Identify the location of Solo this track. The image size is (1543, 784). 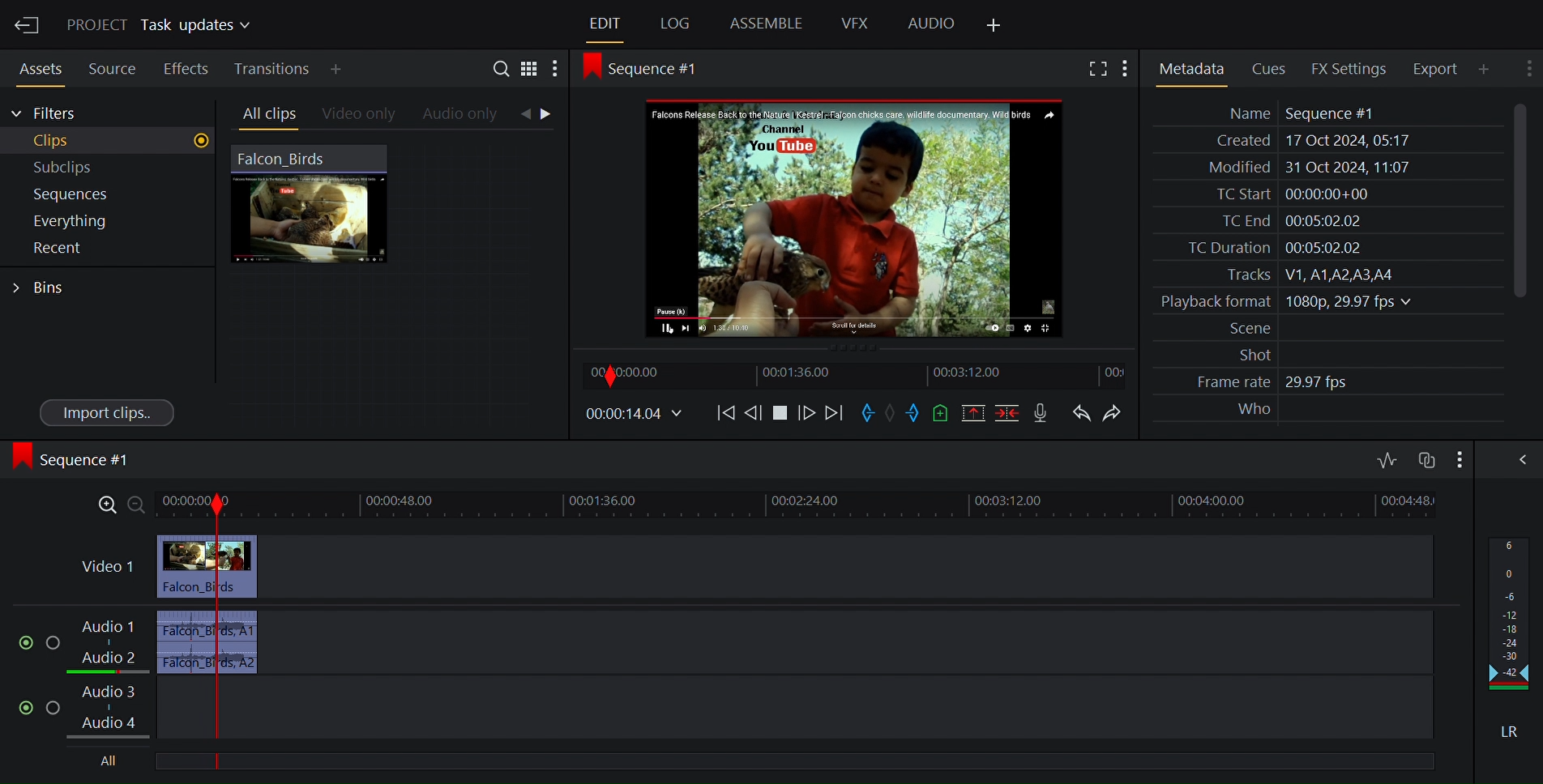
(53, 638).